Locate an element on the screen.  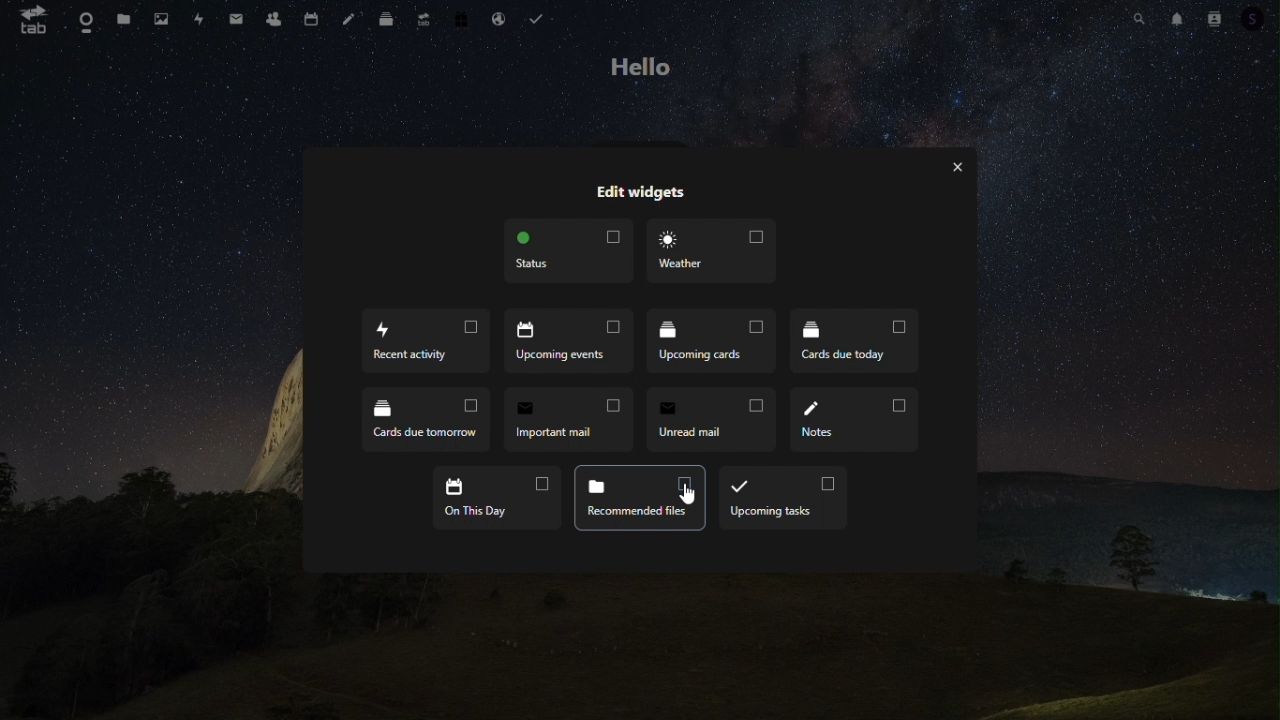
Cursor is located at coordinates (689, 495).